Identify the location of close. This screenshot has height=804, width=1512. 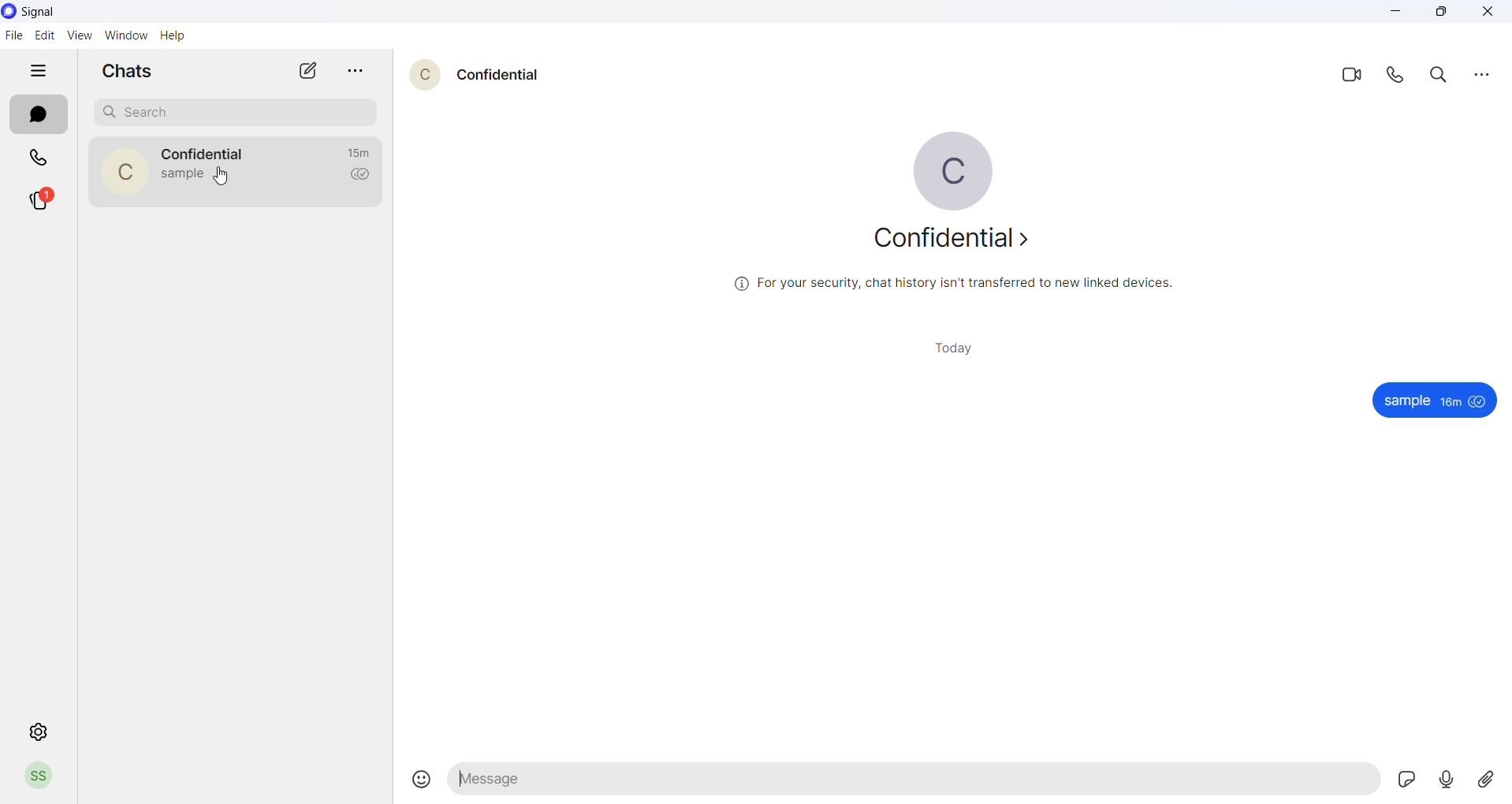
(1491, 14).